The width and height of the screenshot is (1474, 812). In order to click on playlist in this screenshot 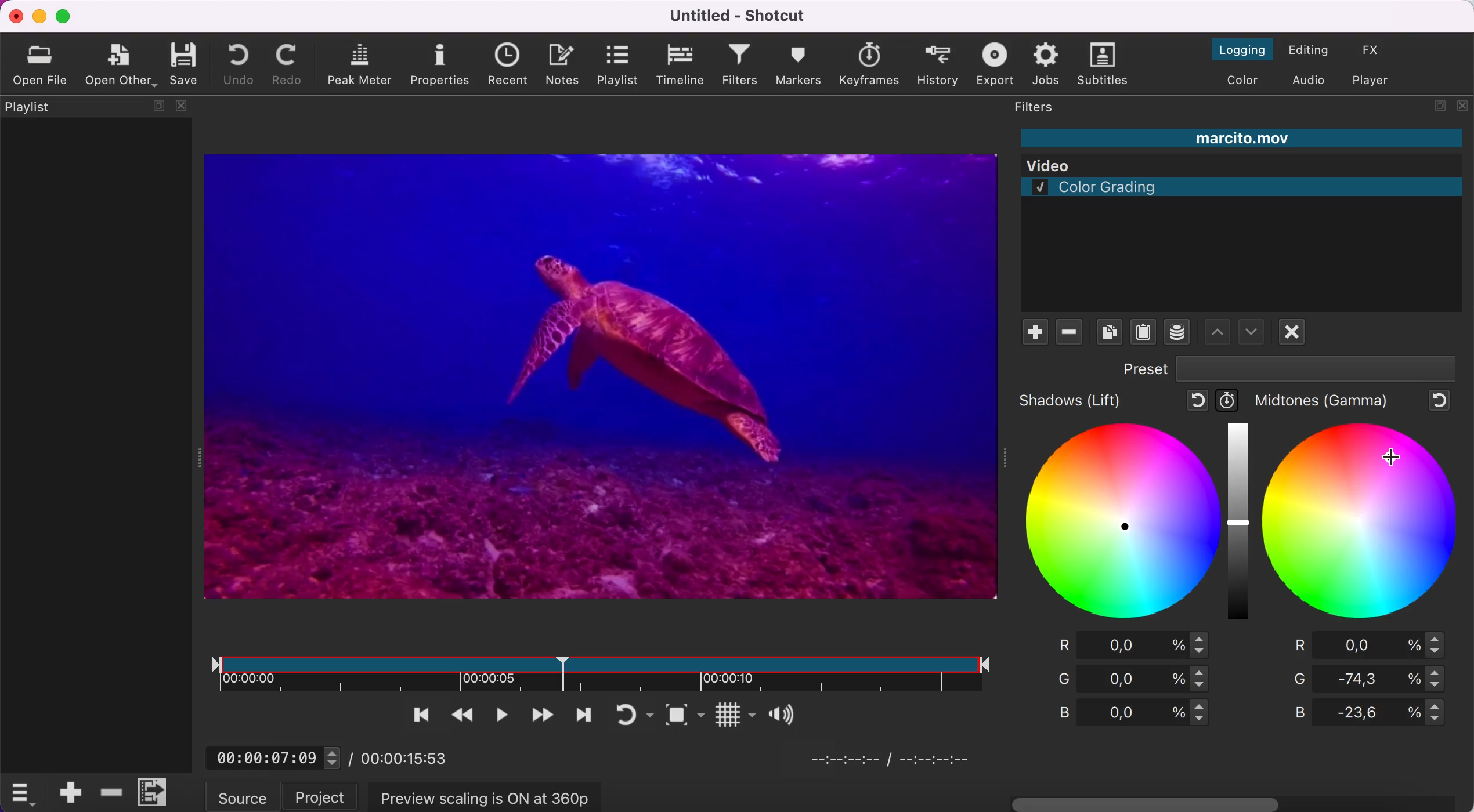, I will do `click(620, 64)`.